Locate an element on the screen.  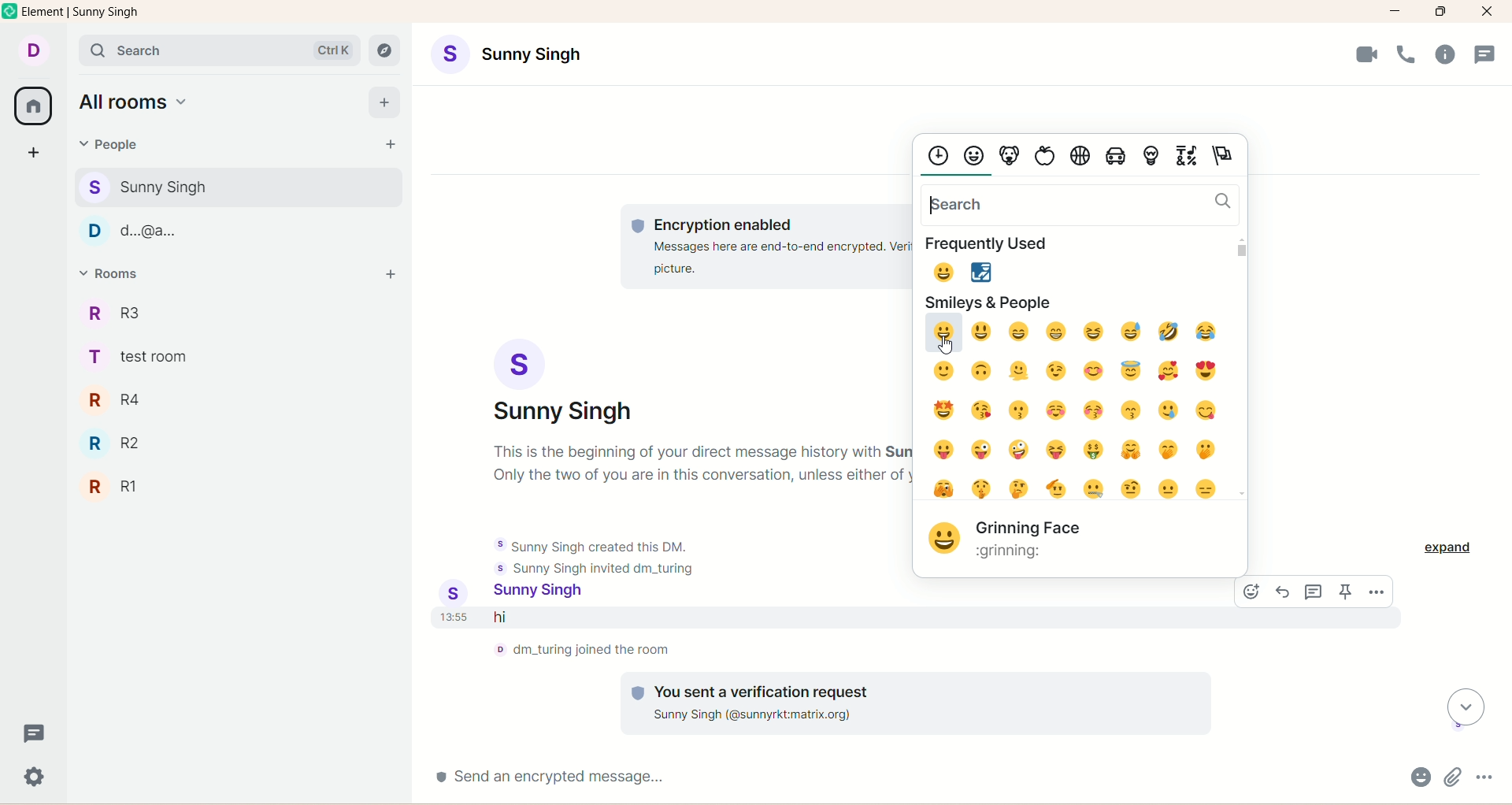
Element logo is located at coordinates (10, 10).